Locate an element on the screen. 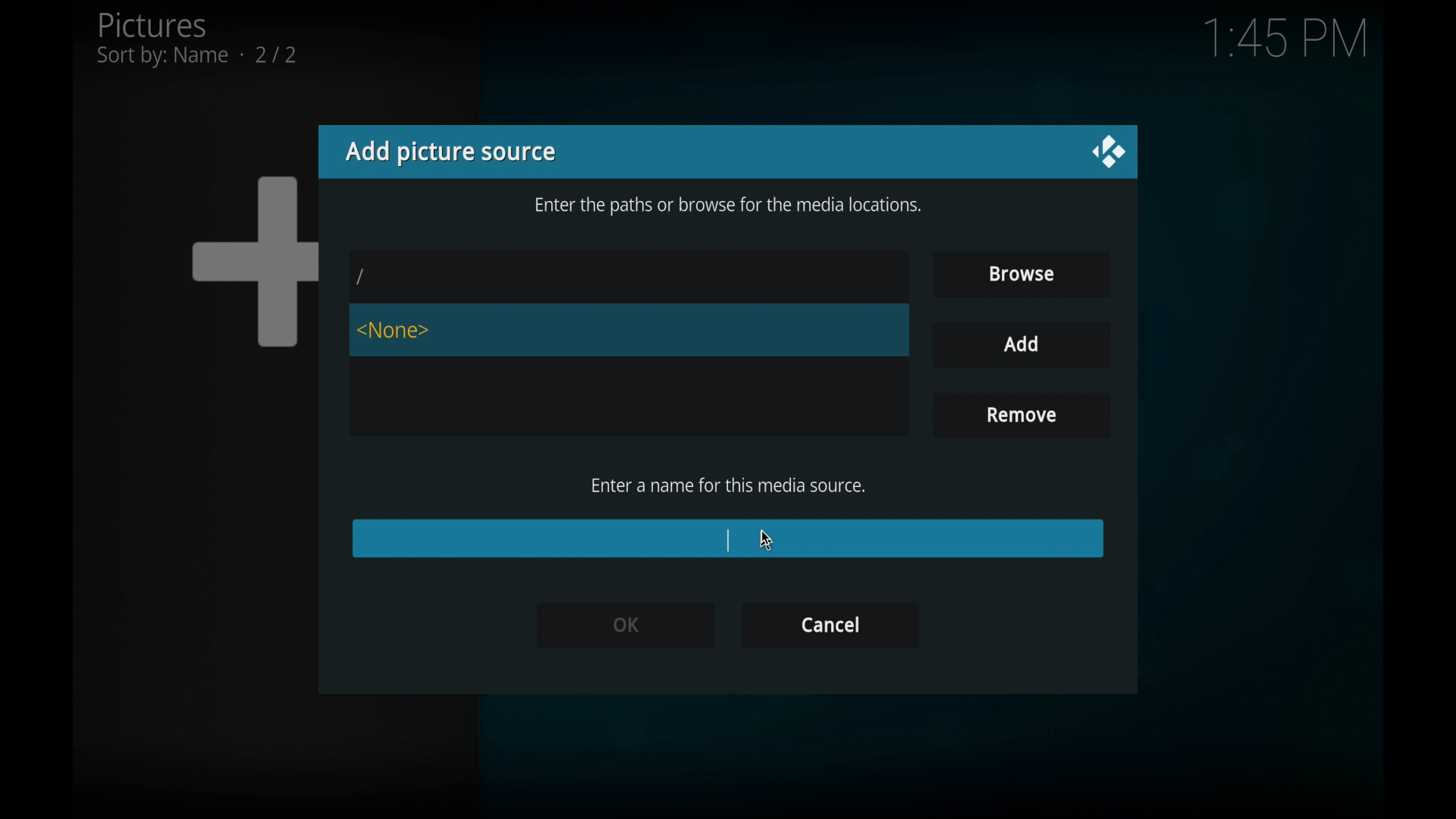 This screenshot has height=819, width=1456. pictures is located at coordinates (196, 39).